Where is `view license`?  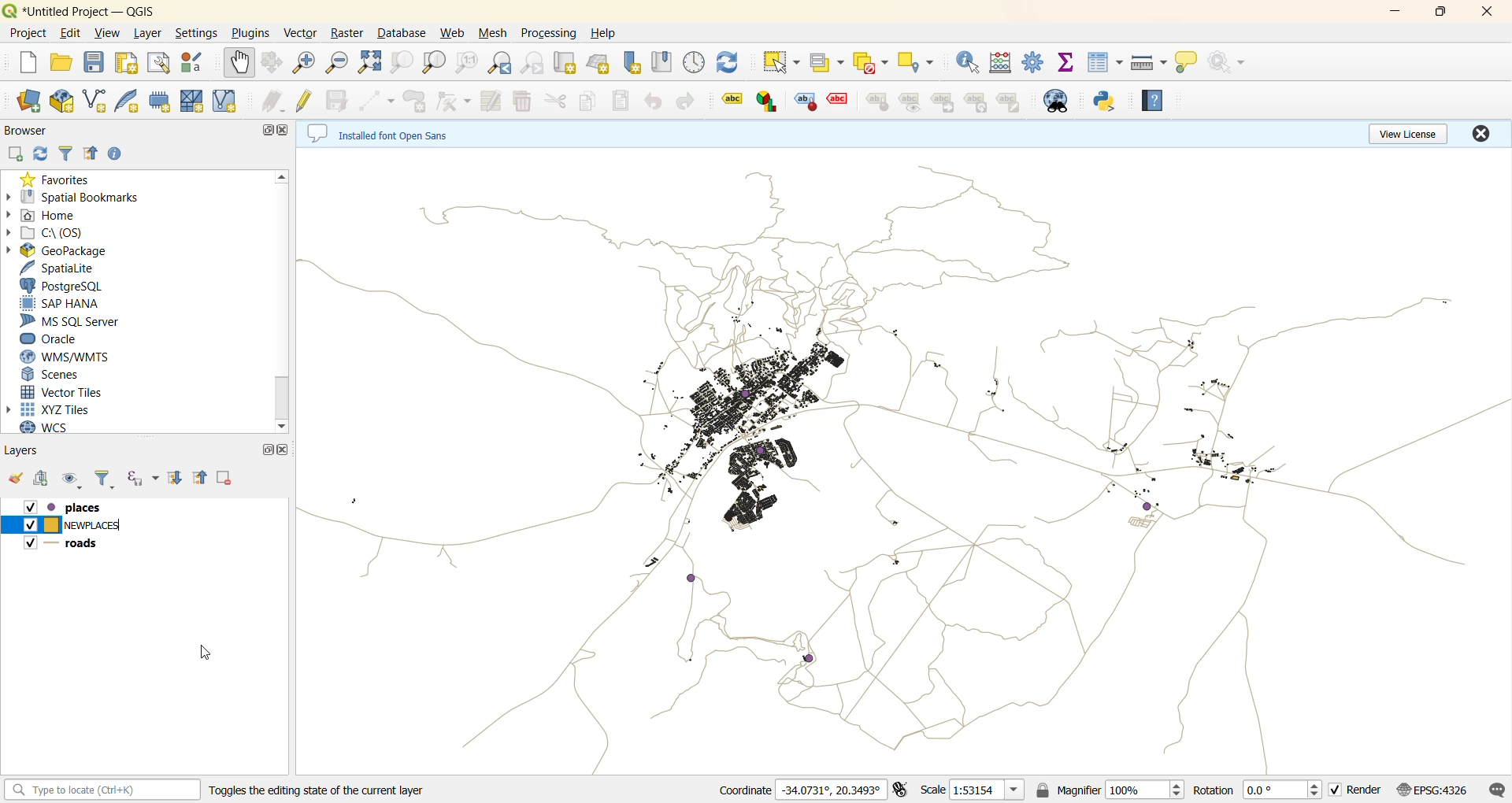
view license is located at coordinates (1406, 132).